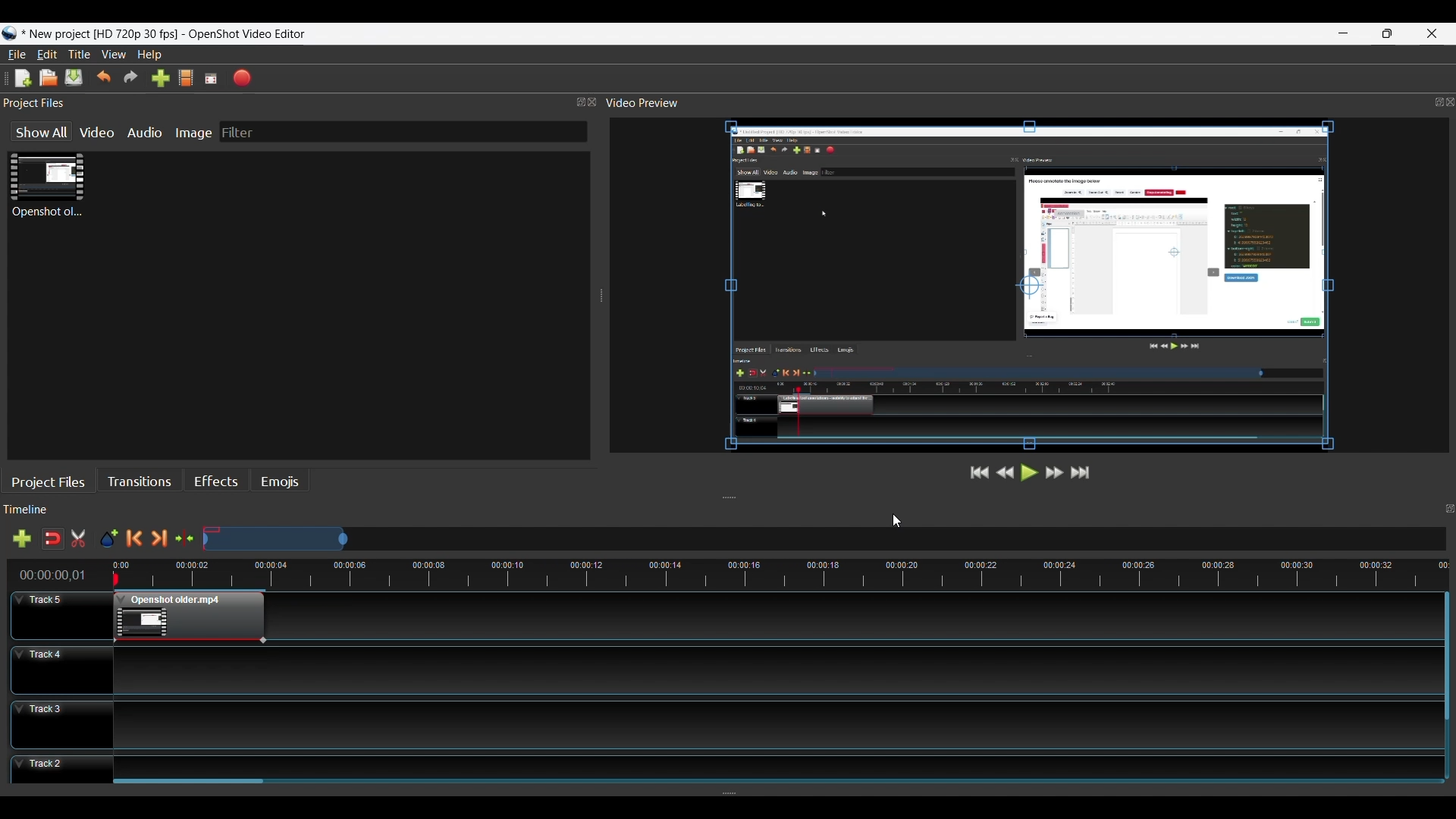 The image size is (1456, 819). Describe the element at coordinates (102, 35) in the screenshot. I see `Project Name` at that location.